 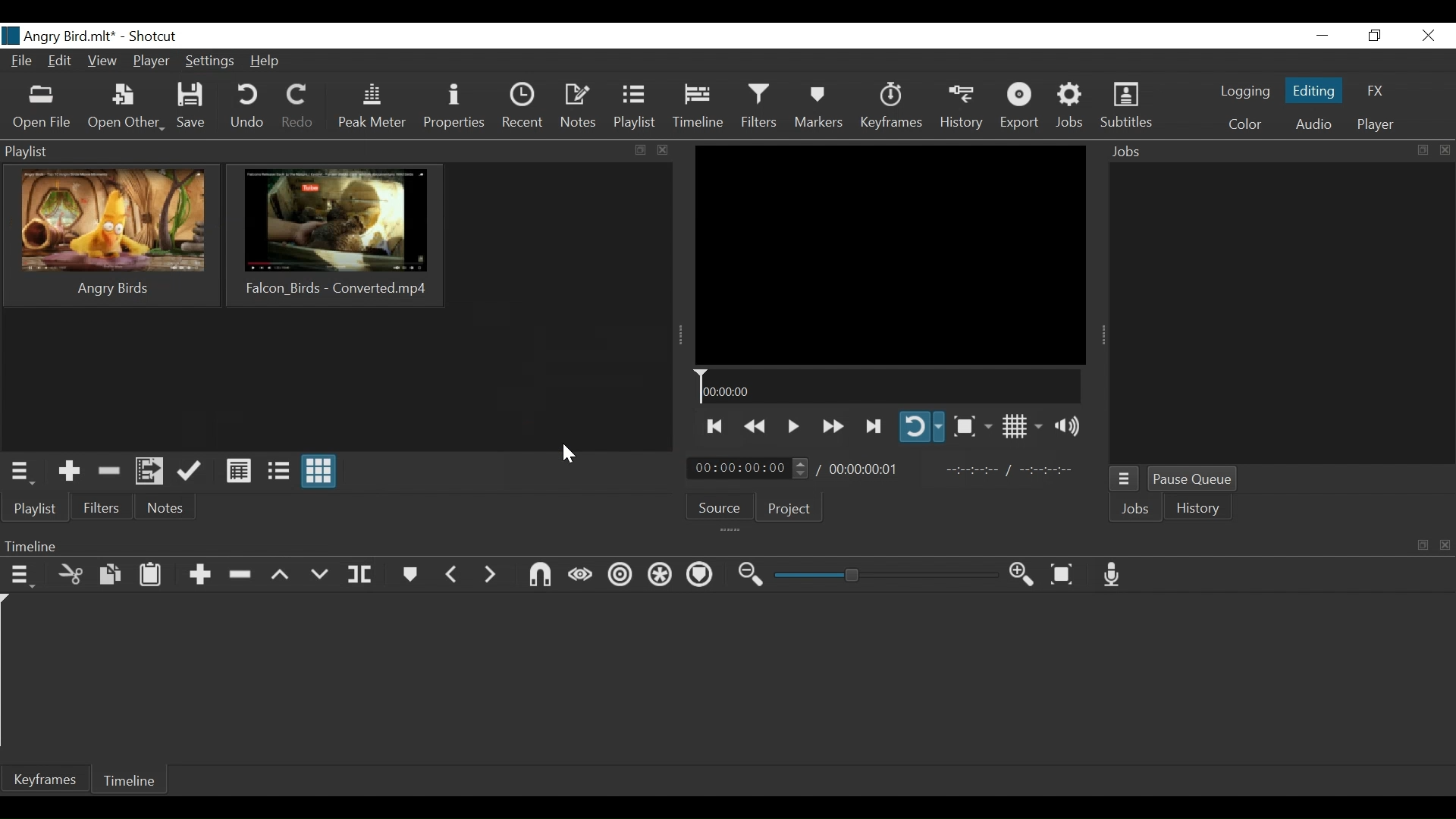 I want to click on Playlist, so click(x=38, y=510).